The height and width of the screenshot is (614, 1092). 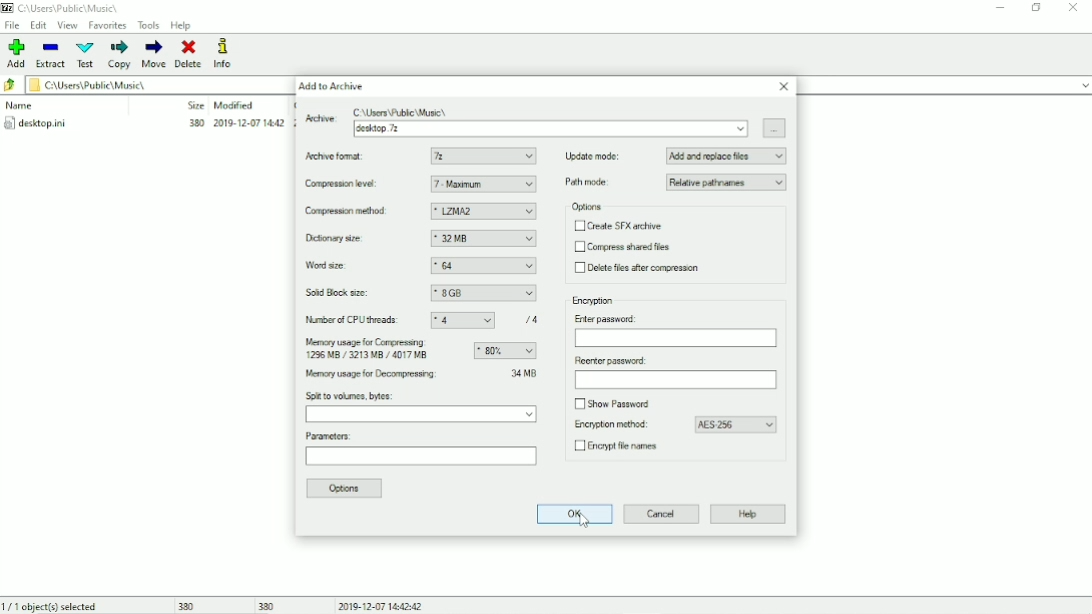 I want to click on Delete files after compression, so click(x=640, y=268).